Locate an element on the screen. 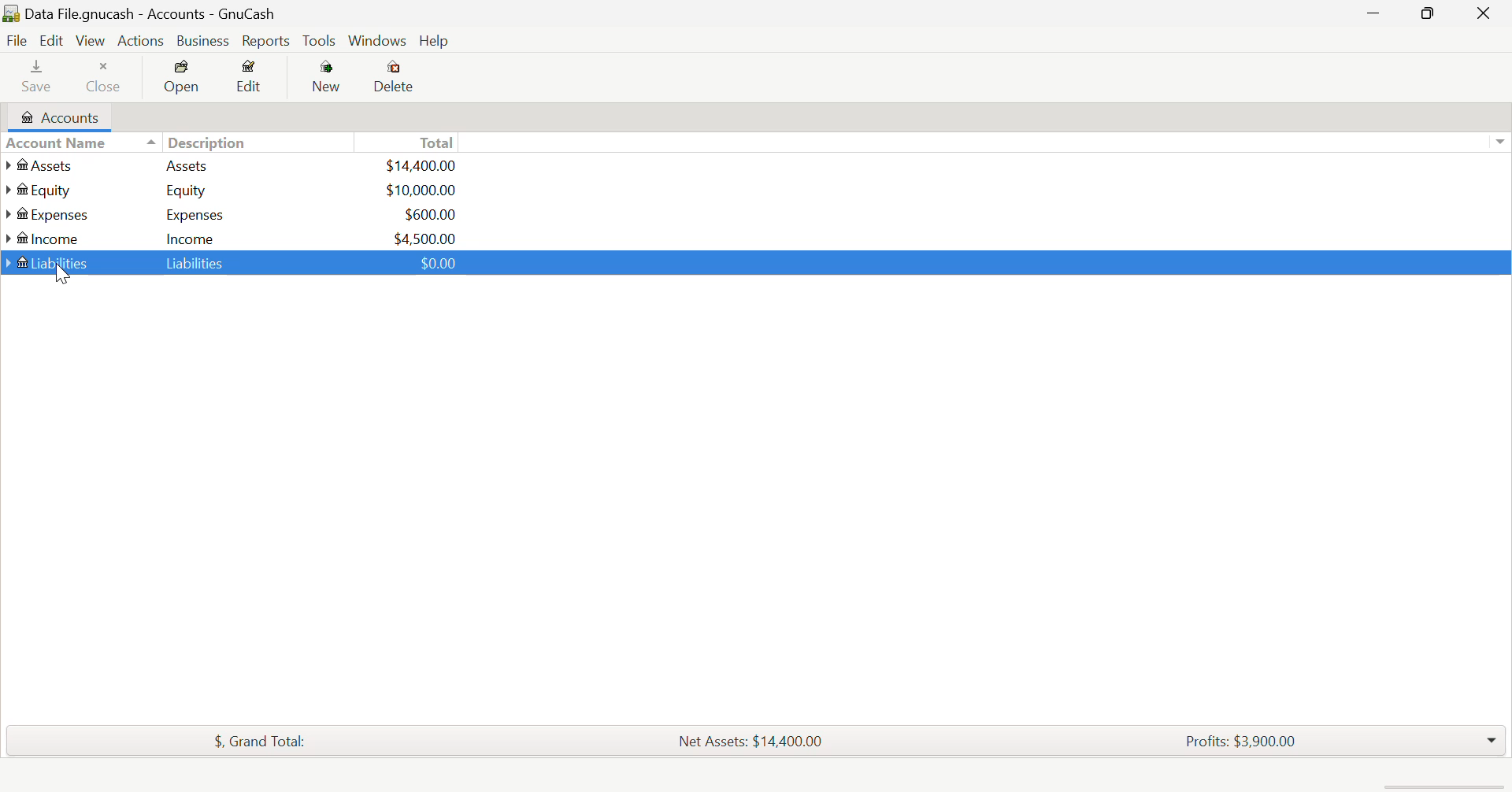 The image size is (1512, 792). Tools is located at coordinates (321, 42).